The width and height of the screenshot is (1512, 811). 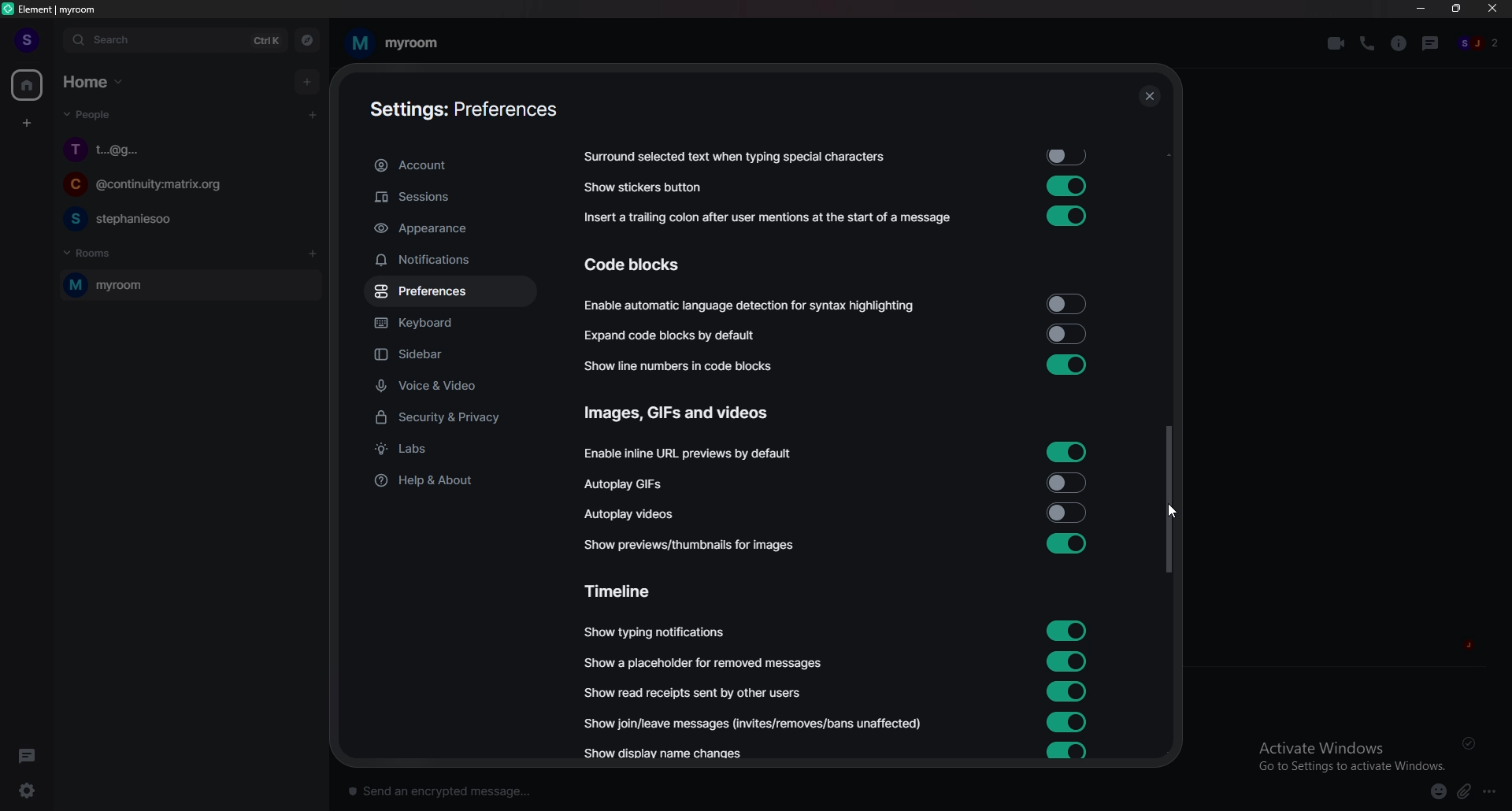 I want to click on labs, so click(x=452, y=450).